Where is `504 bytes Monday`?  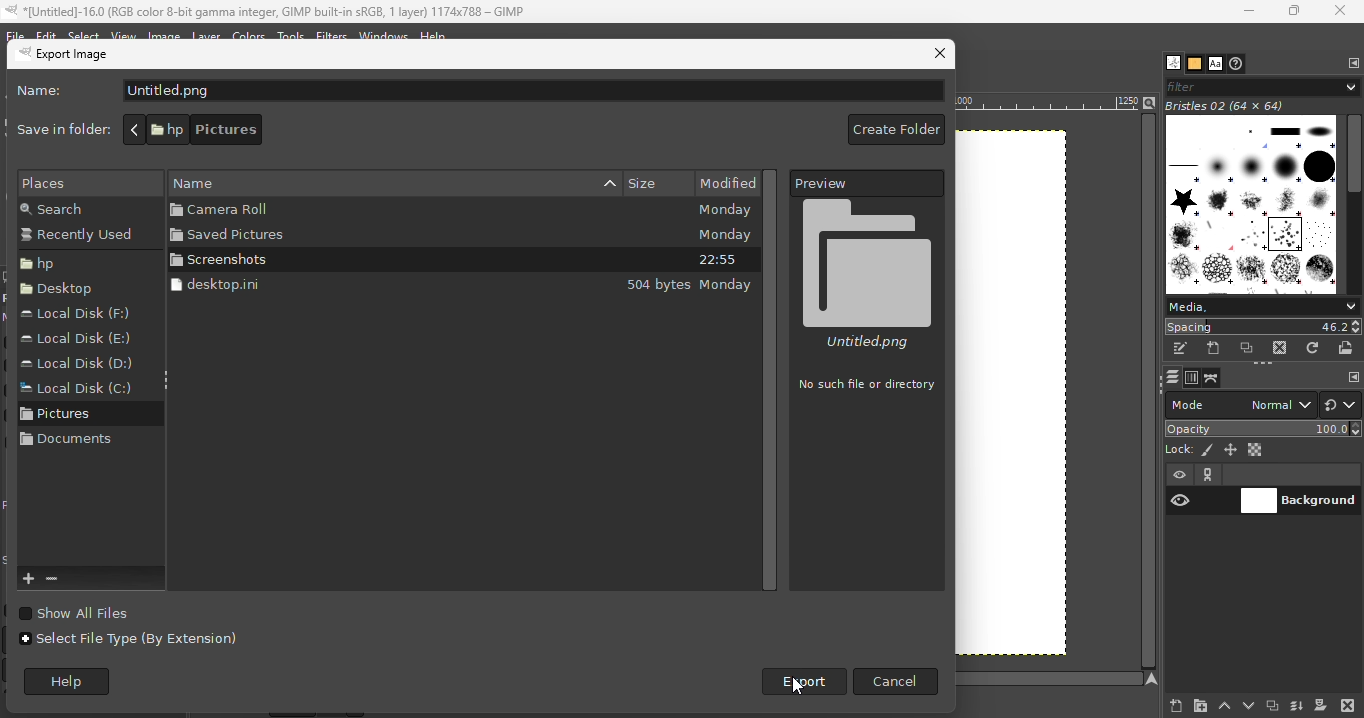 504 bytes Monday is located at coordinates (690, 286).